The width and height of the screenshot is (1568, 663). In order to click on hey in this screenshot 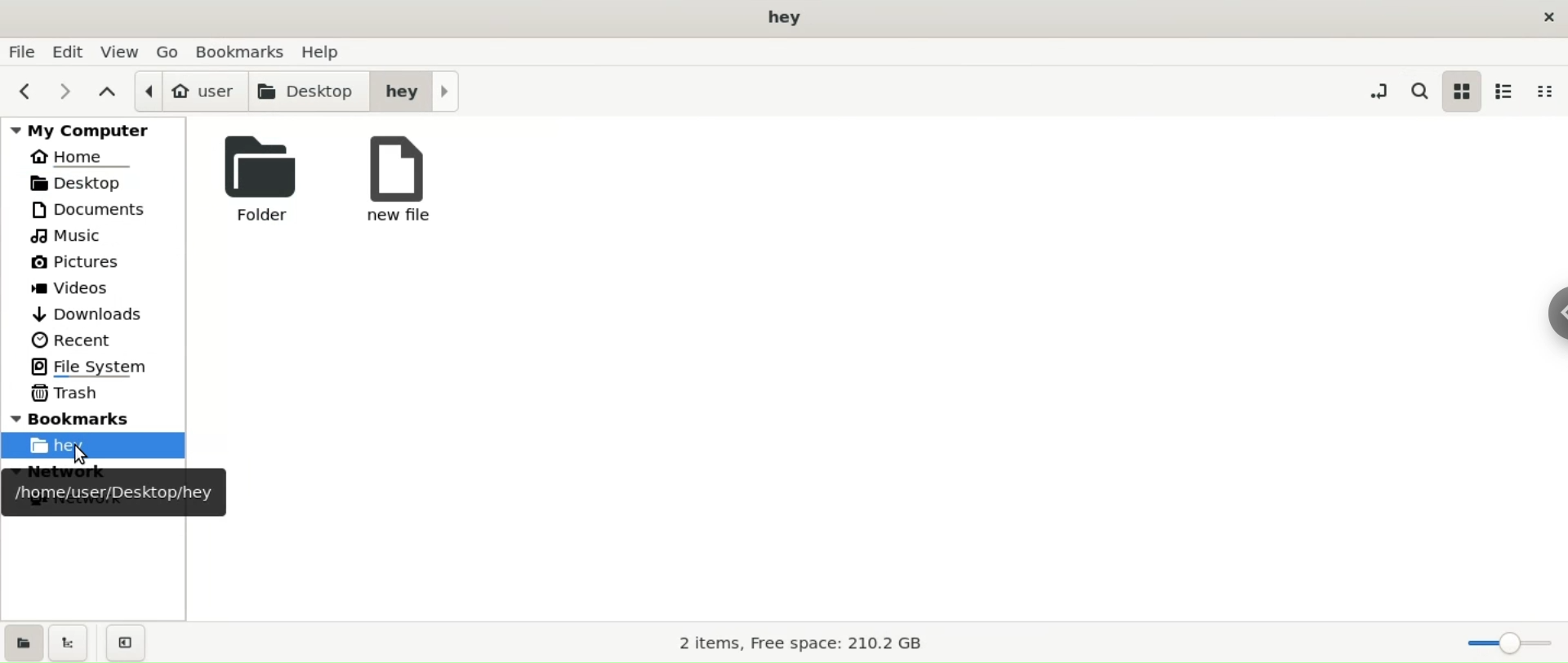, I will do `click(94, 445)`.